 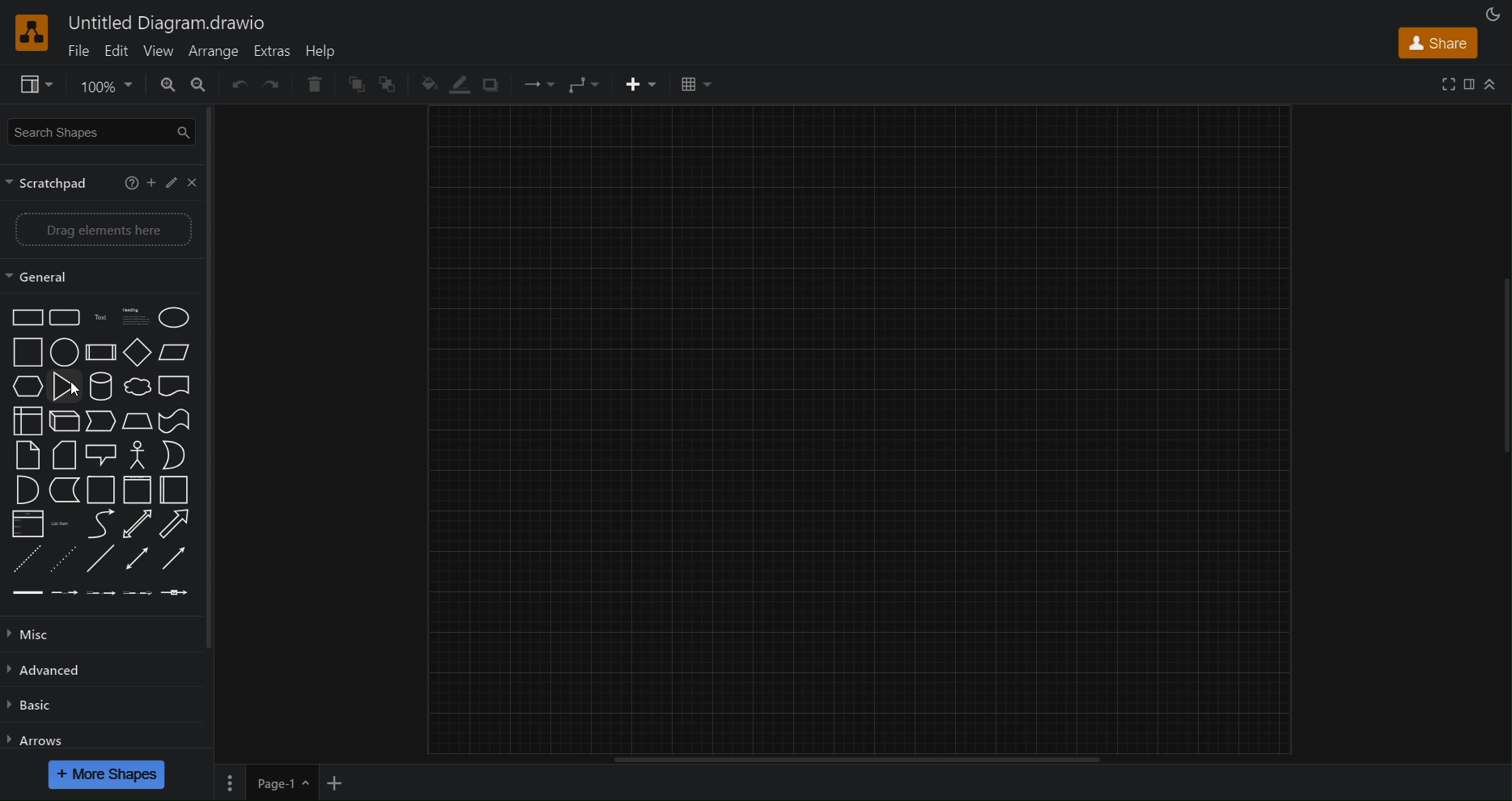 What do you see at coordinates (236, 83) in the screenshot?
I see `Undo` at bounding box center [236, 83].